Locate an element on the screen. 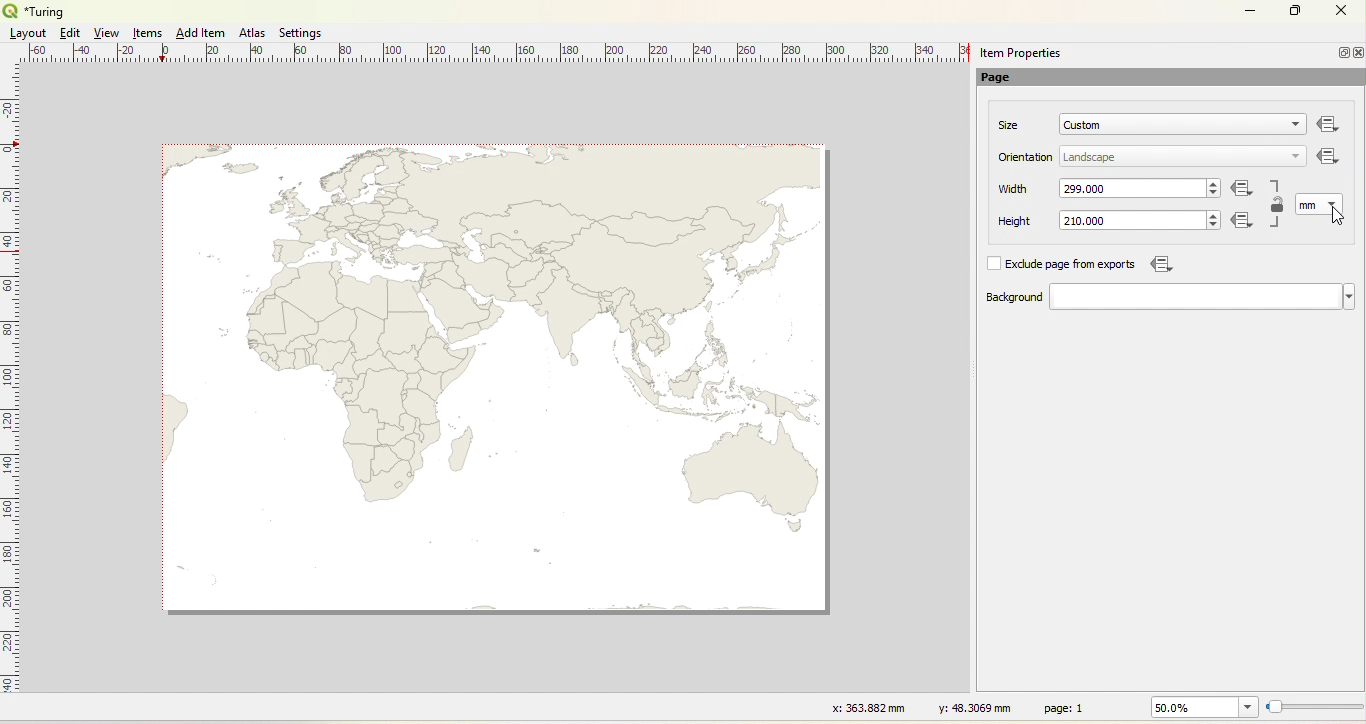 Image resolution: width=1366 pixels, height=724 pixels. Page is located at coordinates (1006, 79).